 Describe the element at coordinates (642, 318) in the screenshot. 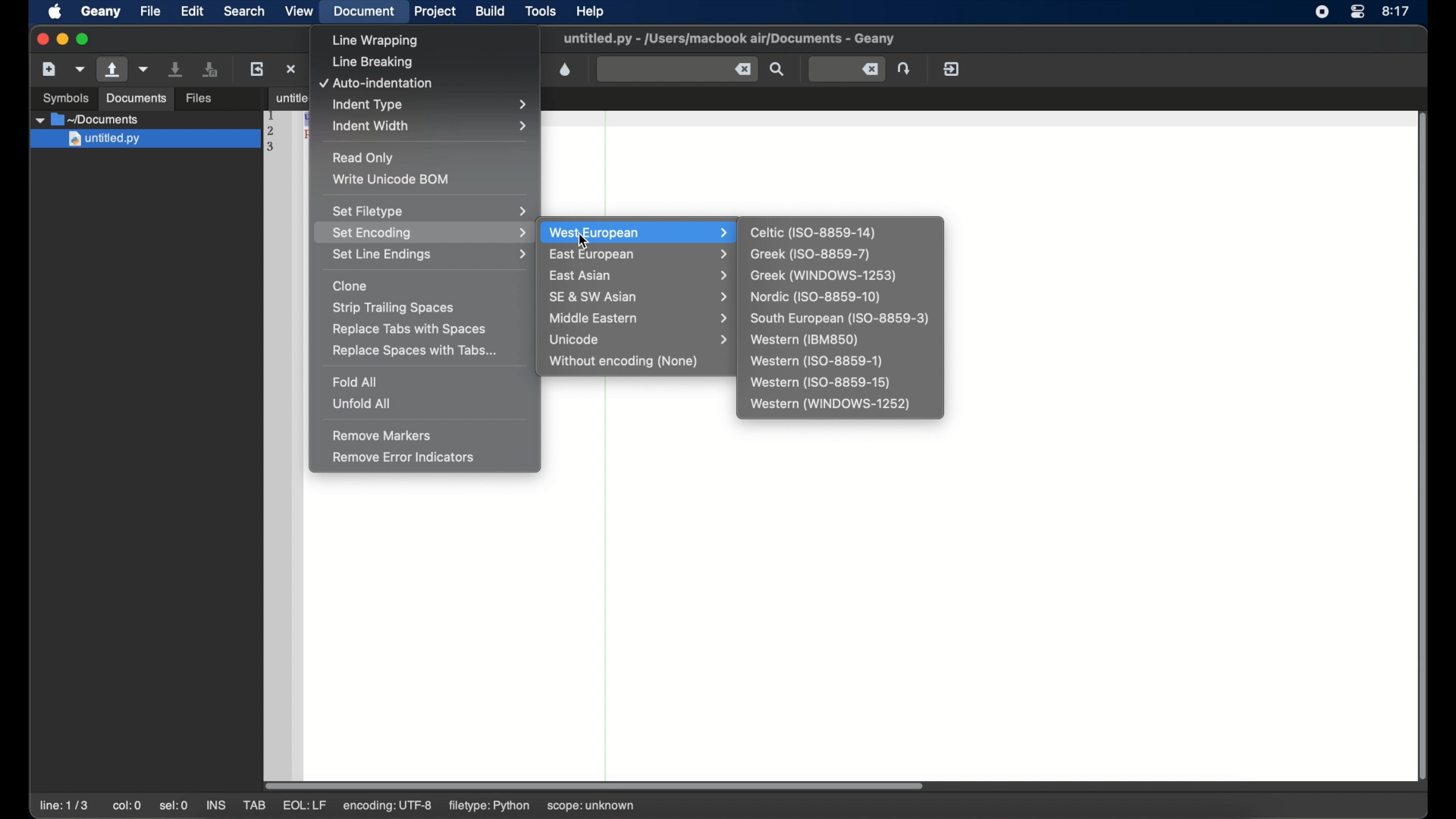

I see `middle eastern menu` at that location.